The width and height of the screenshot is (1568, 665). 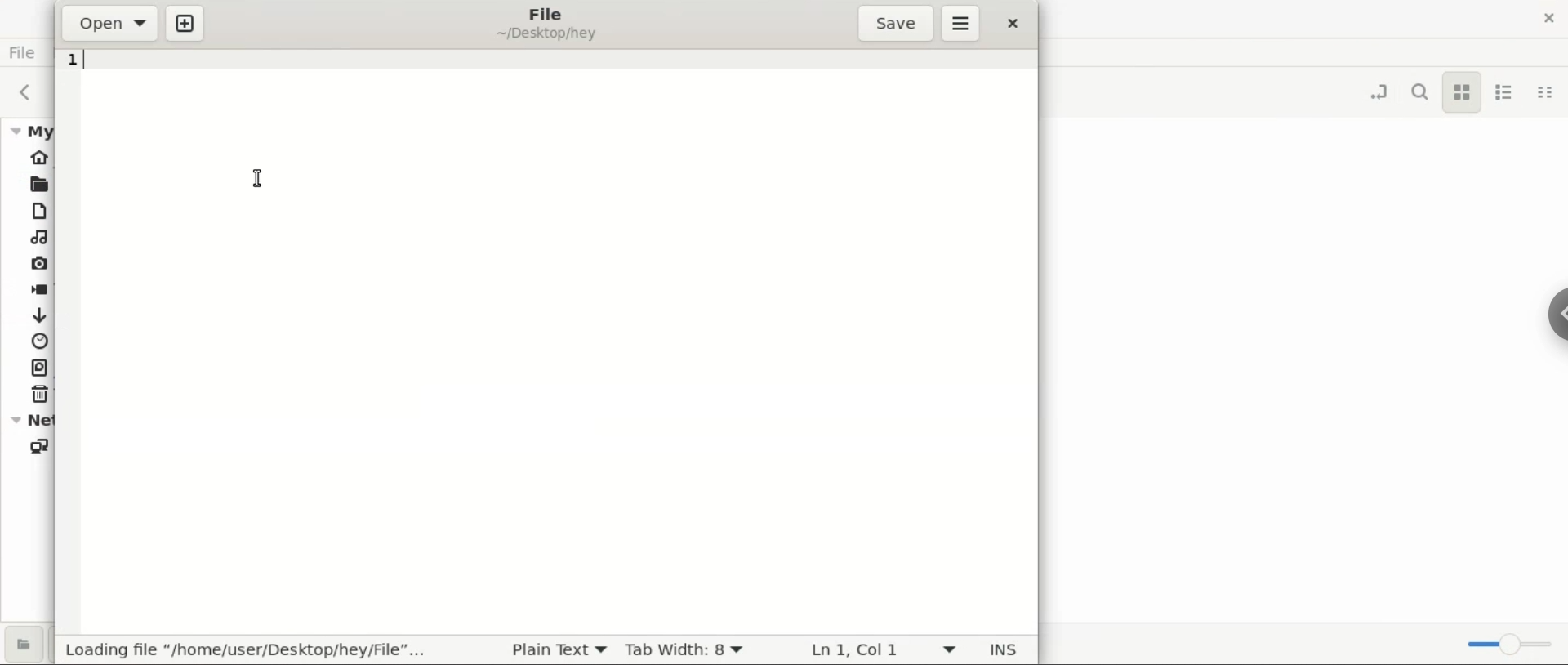 What do you see at coordinates (1463, 91) in the screenshot?
I see `icon view` at bounding box center [1463, 91].